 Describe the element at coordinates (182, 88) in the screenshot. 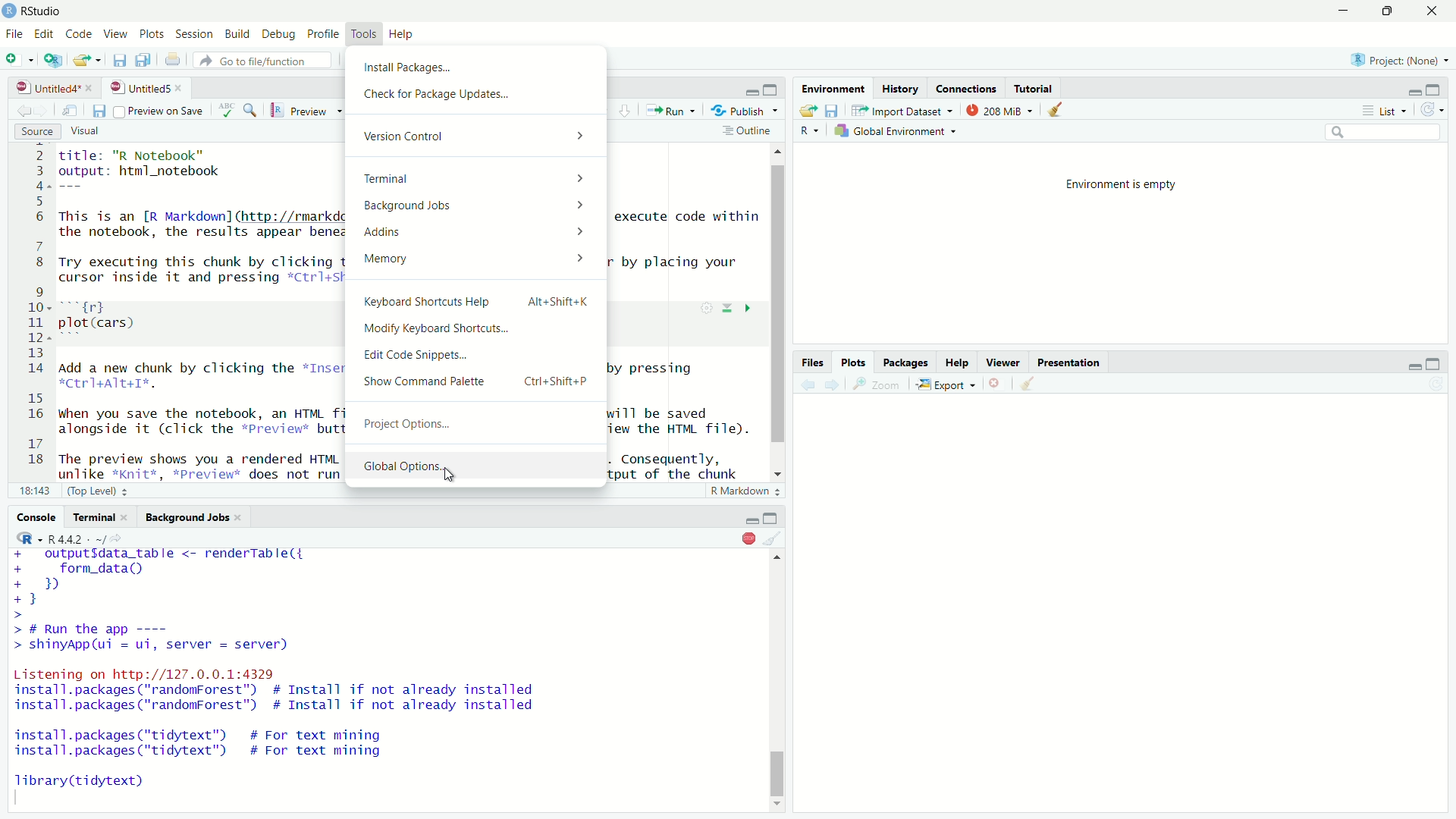

I see `close` at that location.